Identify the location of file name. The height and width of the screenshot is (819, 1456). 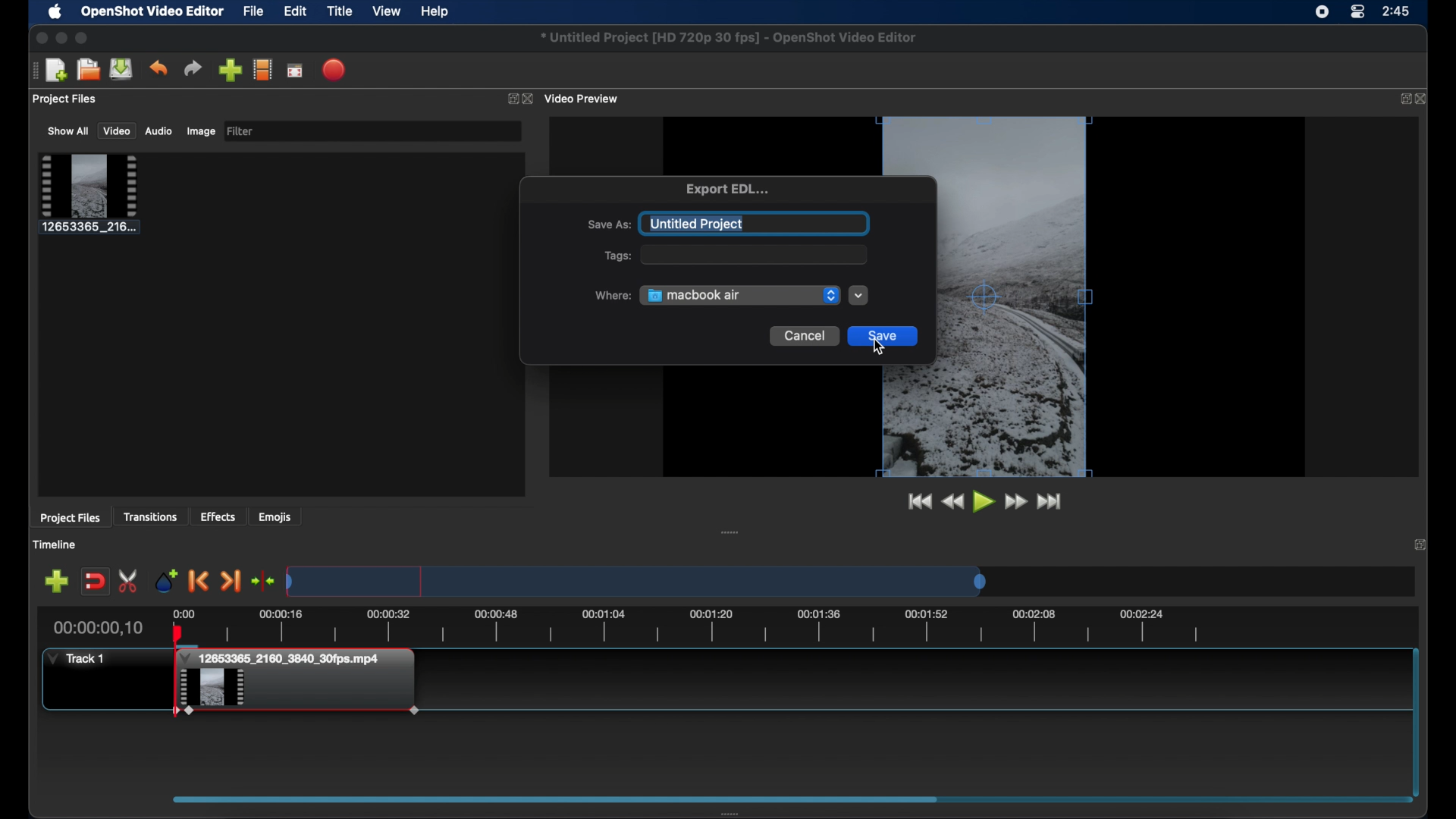
(731, 38).